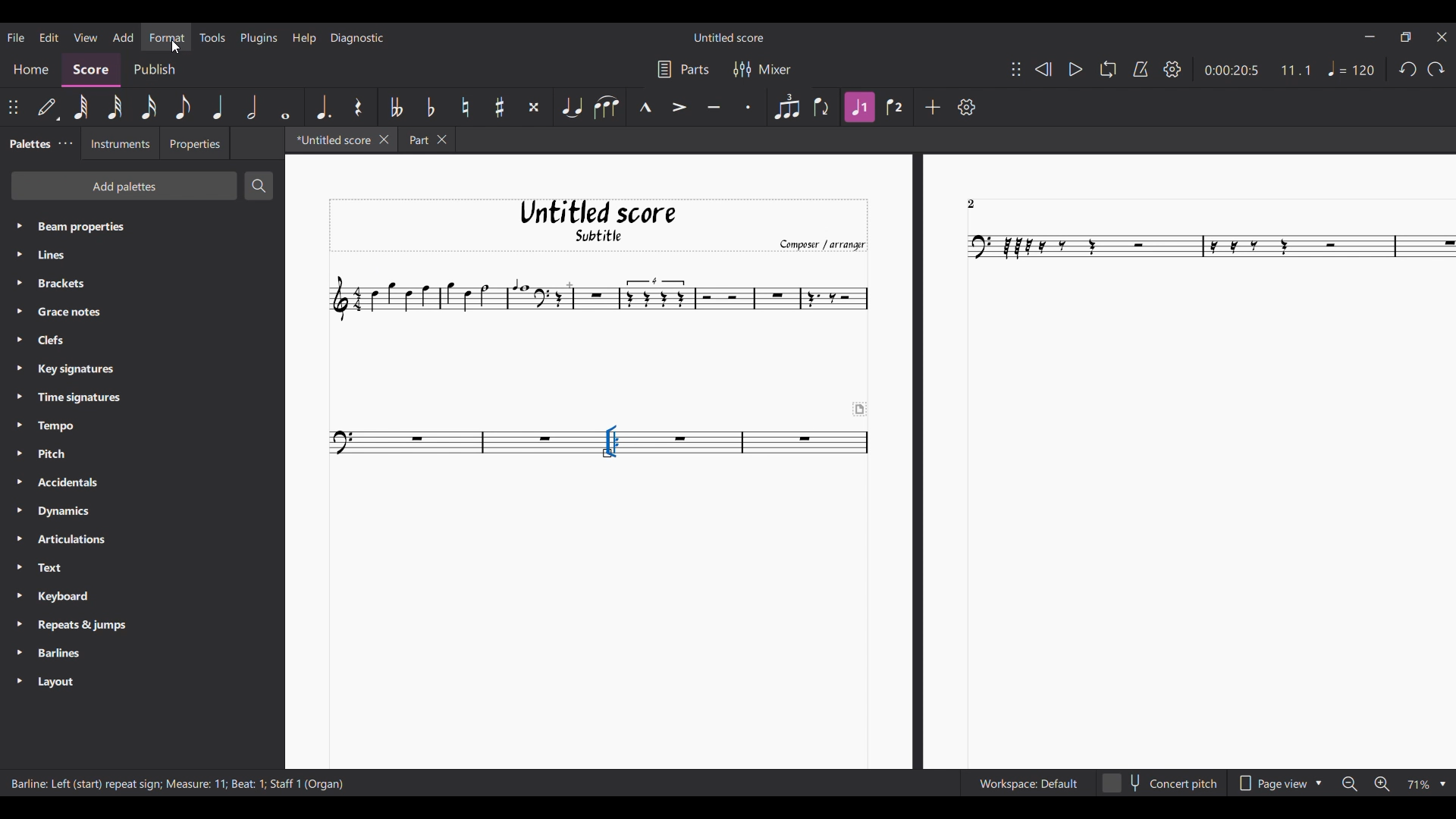 The width and height of the screenshot is (1456, 819). Describe the element at coordinates (1370, 36) in the screenshot. I see `Minimize` at that location.